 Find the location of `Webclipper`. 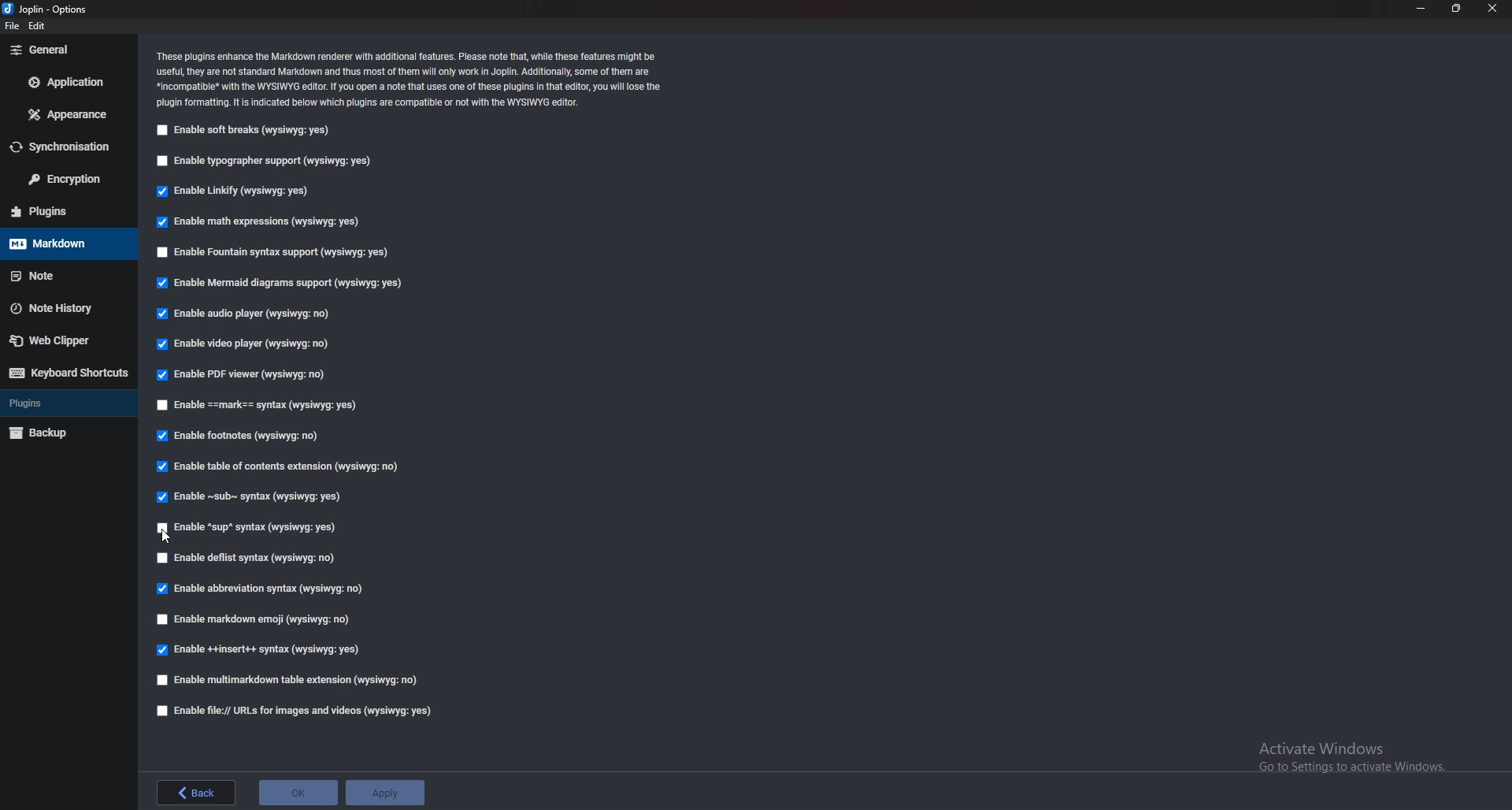

Webclipper is located at coordinates (64, 341).